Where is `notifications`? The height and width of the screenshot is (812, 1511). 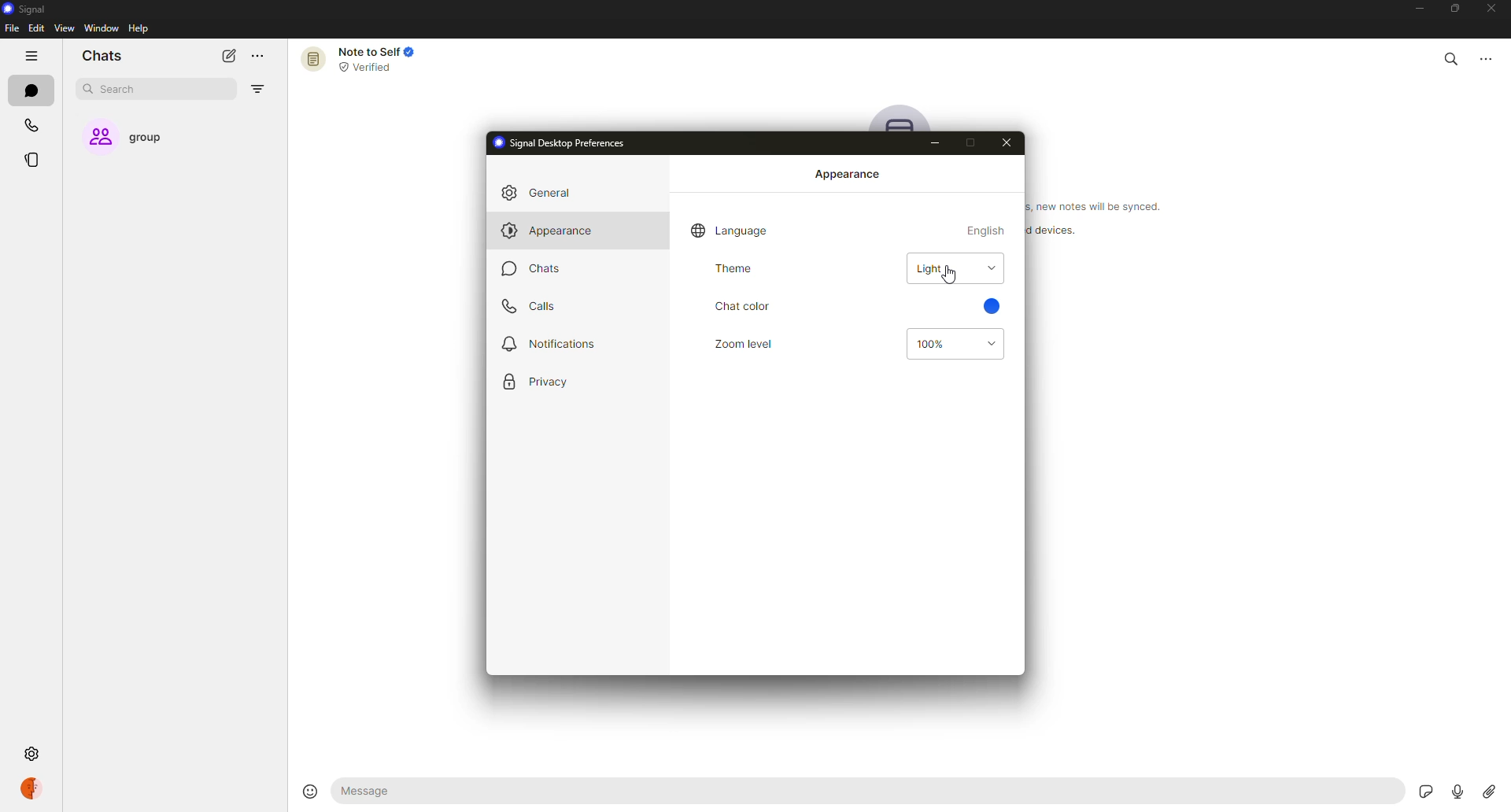 notifications is located at coordinates (552, 341).